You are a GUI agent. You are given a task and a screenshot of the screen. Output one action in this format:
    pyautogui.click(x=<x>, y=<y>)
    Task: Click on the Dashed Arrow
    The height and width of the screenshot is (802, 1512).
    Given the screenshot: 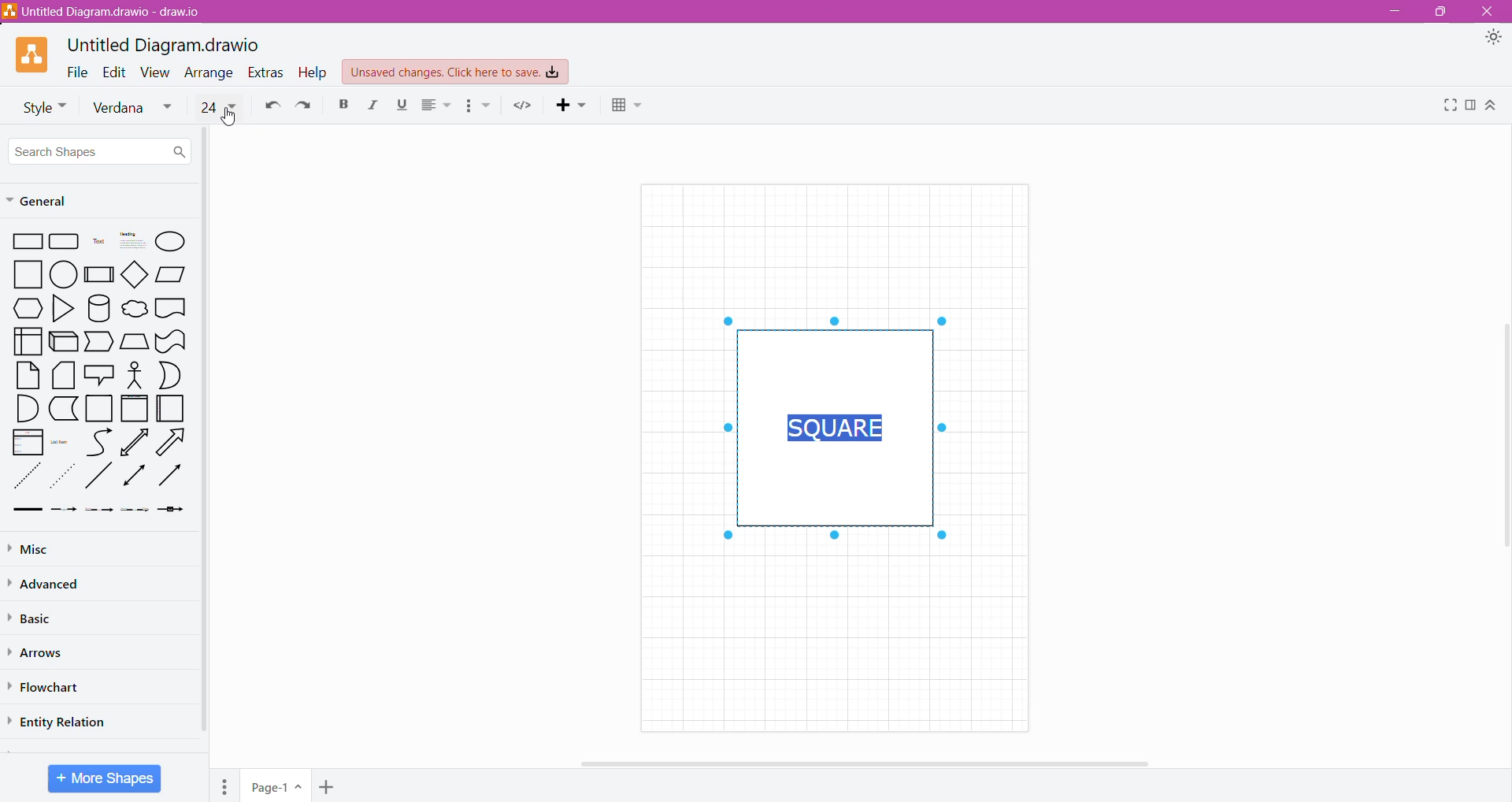 What is the action you would take?
    pyautogui.click(x=63, y=513)
    